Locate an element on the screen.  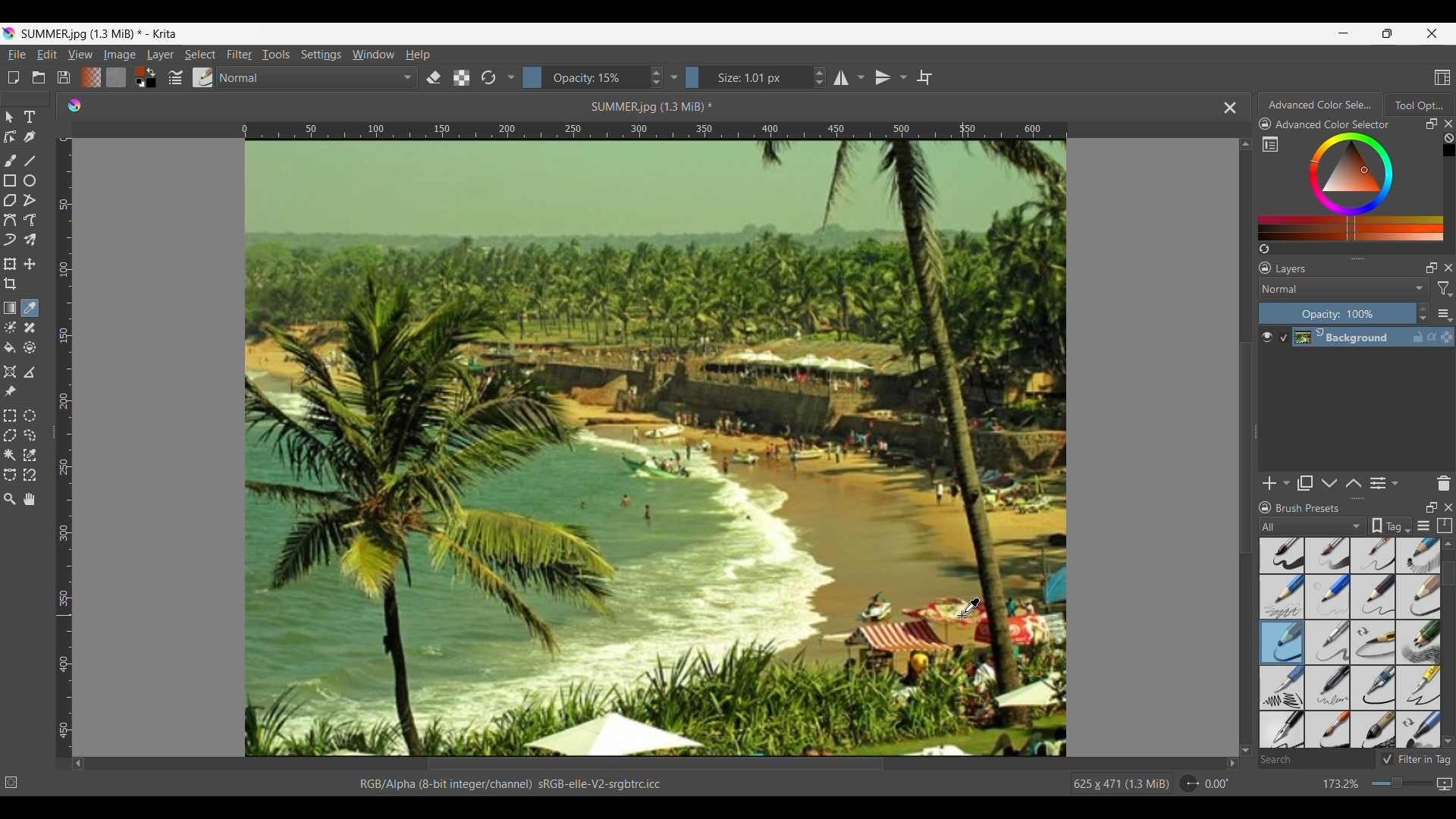
Close interface is located at coordinates (1432, 33).